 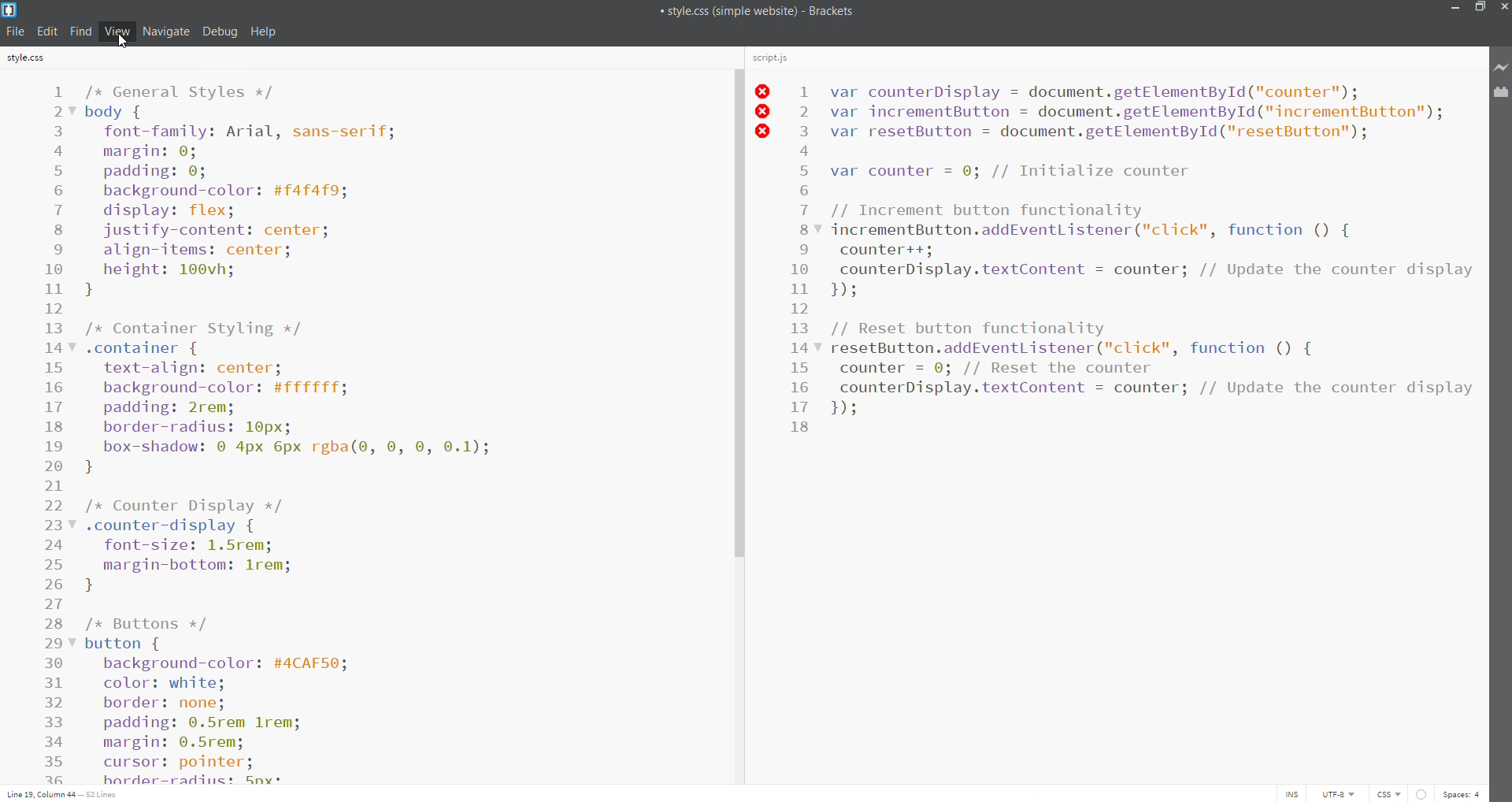 What do you see at coordinates (1455, 9) in the screenshot?
I see `minimize` at bounding box center [1455, 9].